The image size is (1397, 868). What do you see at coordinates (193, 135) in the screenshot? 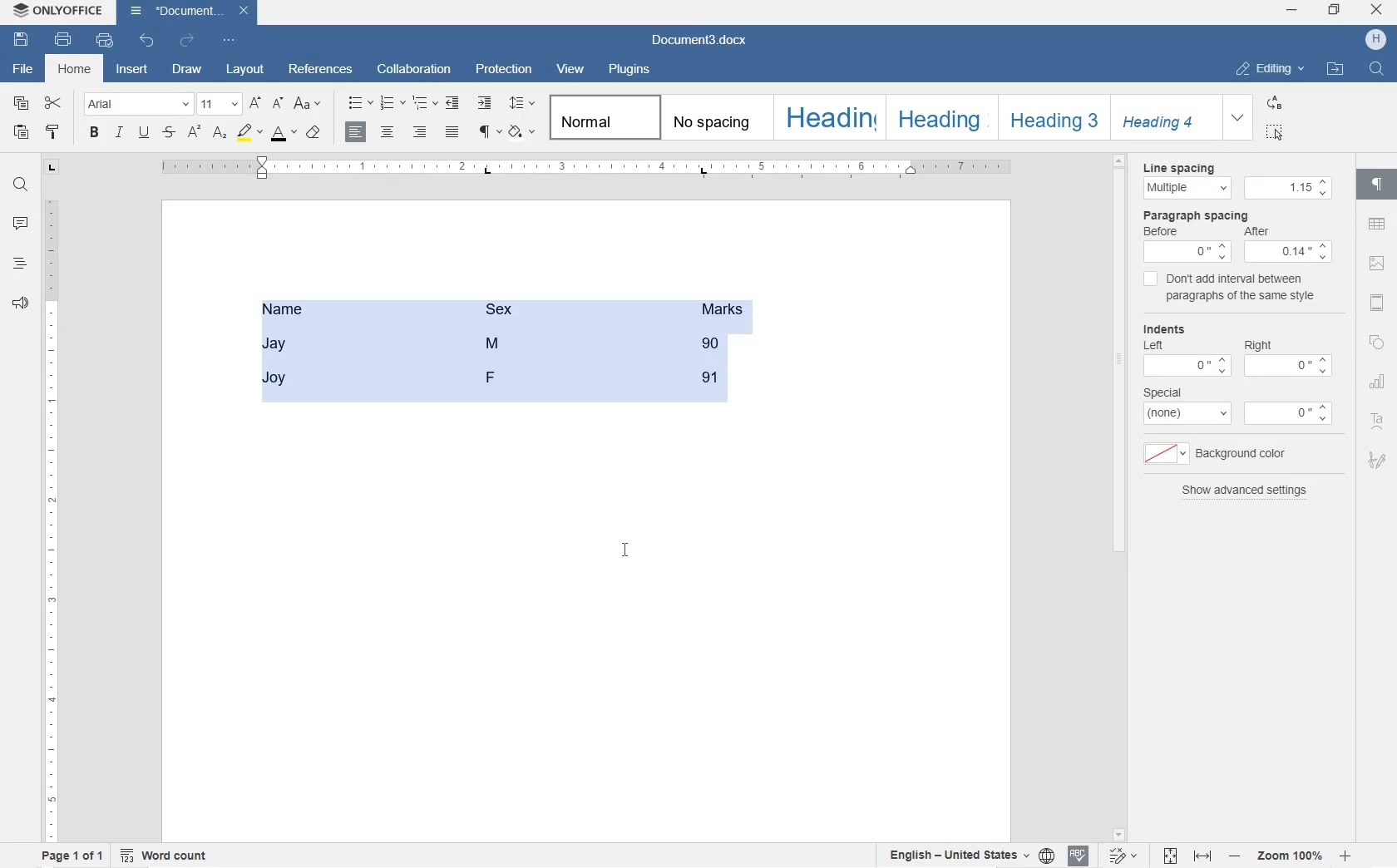
I see `SUPERSCRIPT` at bounding box center [193, 135].